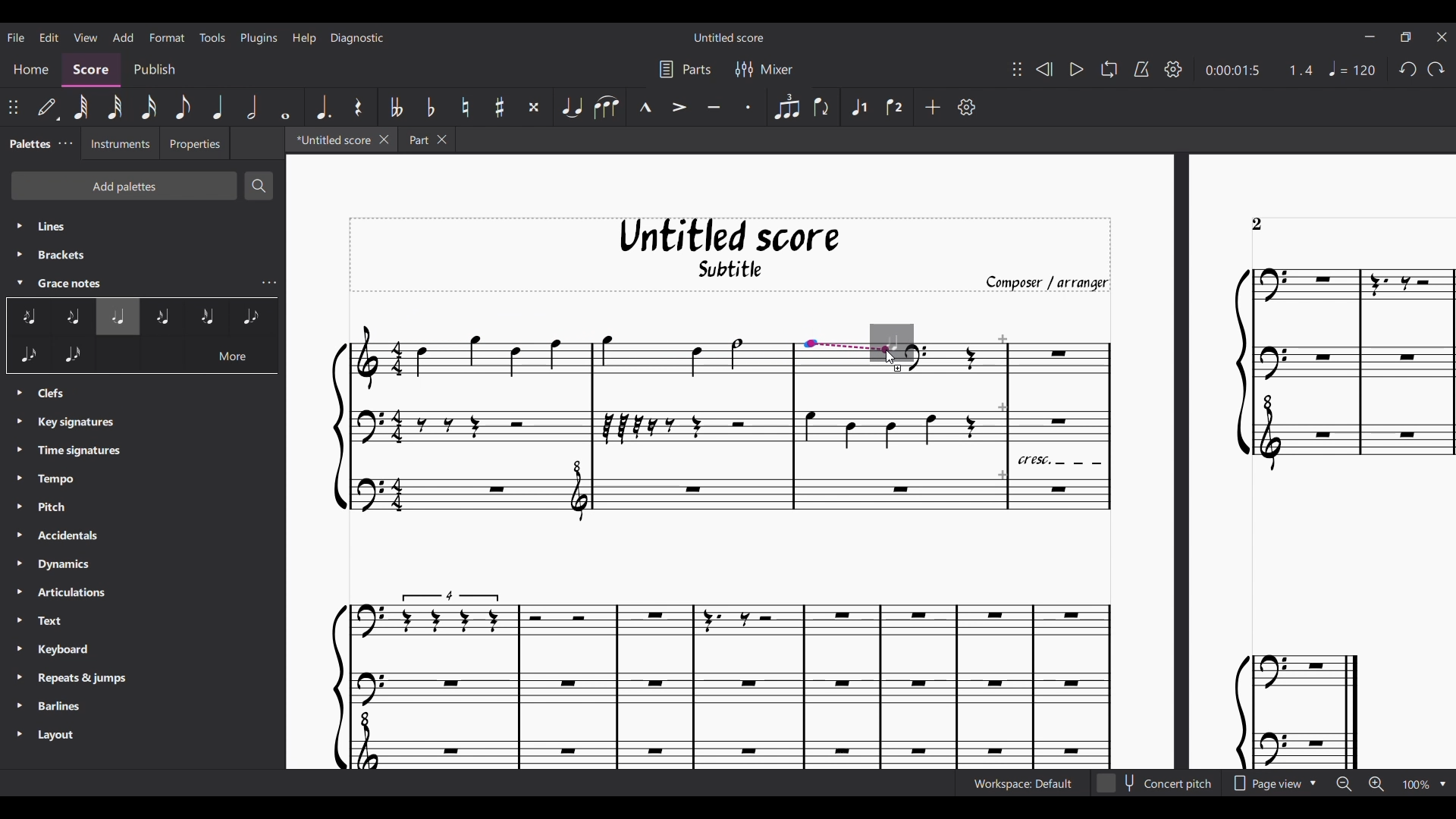  What do you see at coordinates (822, 107) in the screenshot?
I see `Flip direction` at bounding box center [822, 107].